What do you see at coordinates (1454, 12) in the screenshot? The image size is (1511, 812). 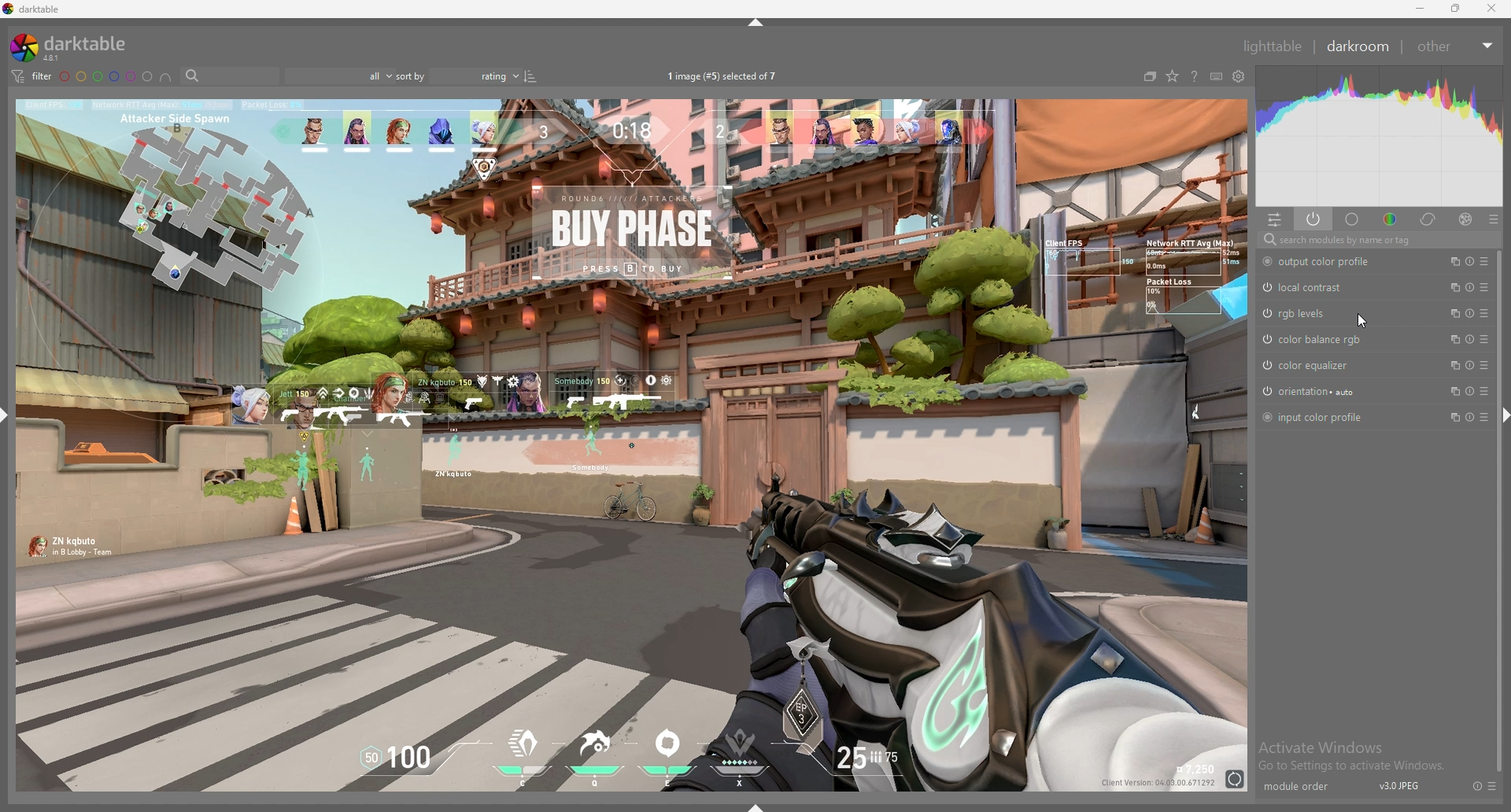 I see `Restore` at bounding box center [1454, 12].